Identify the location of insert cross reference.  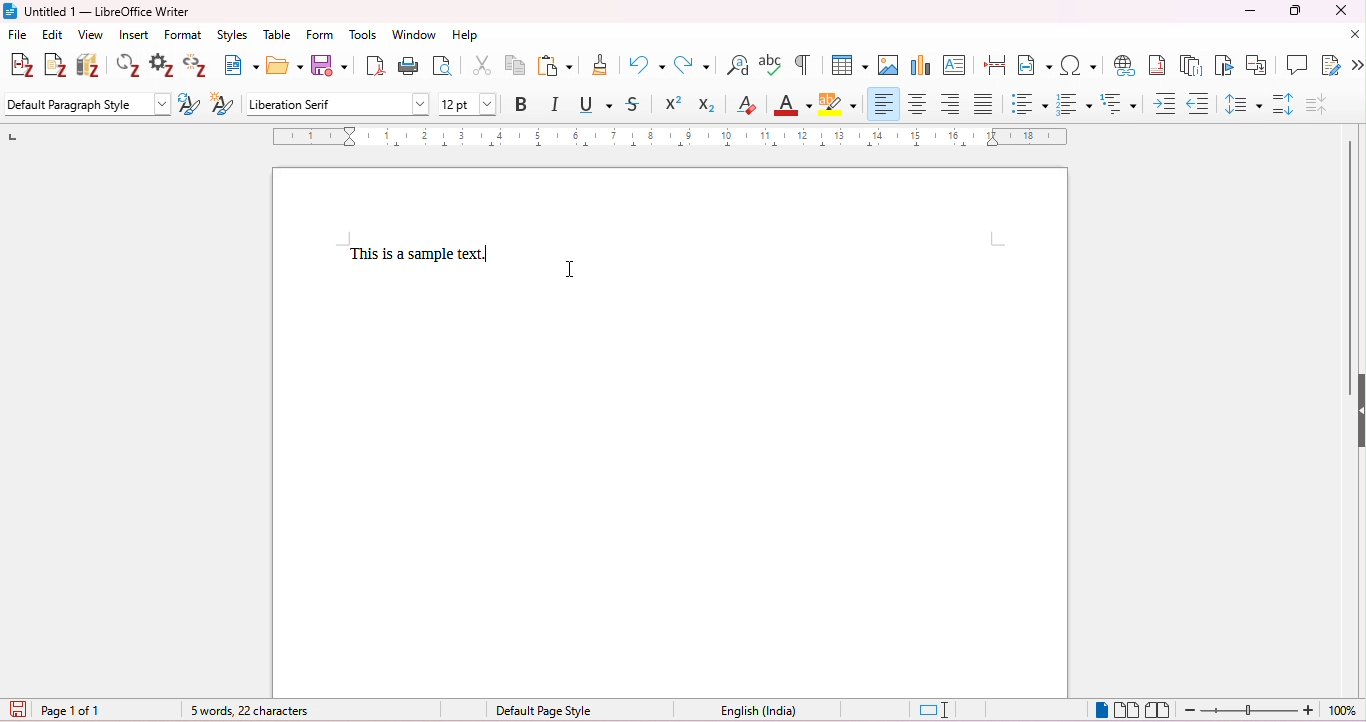
(1258, 64).